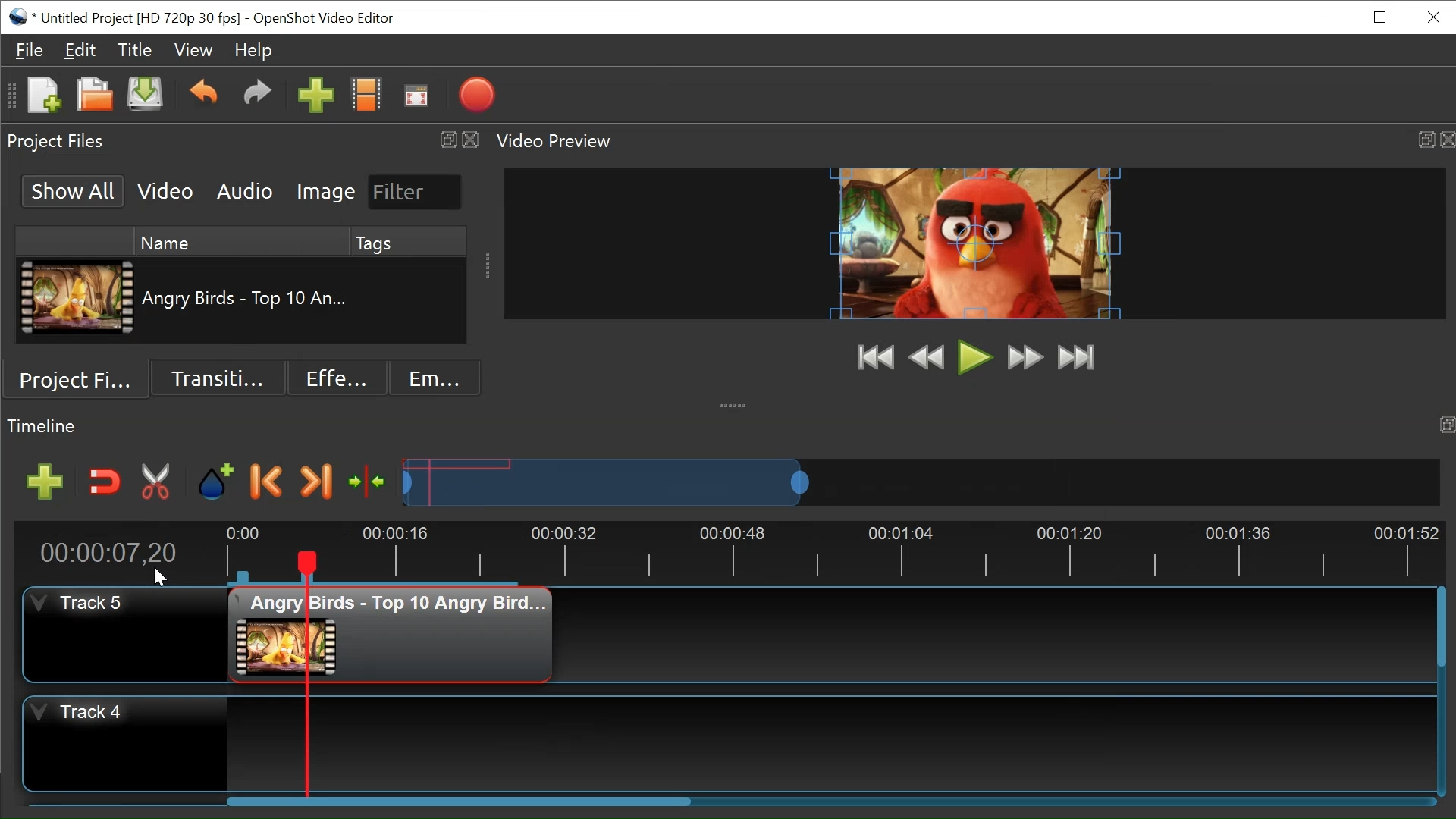 Image resolution: width=1456 pixels, height=819 pixels. What do you see at coordinates (1023, 359) in the screenshot?
I see `Fast Forward` at bounding box center [1023, 359].